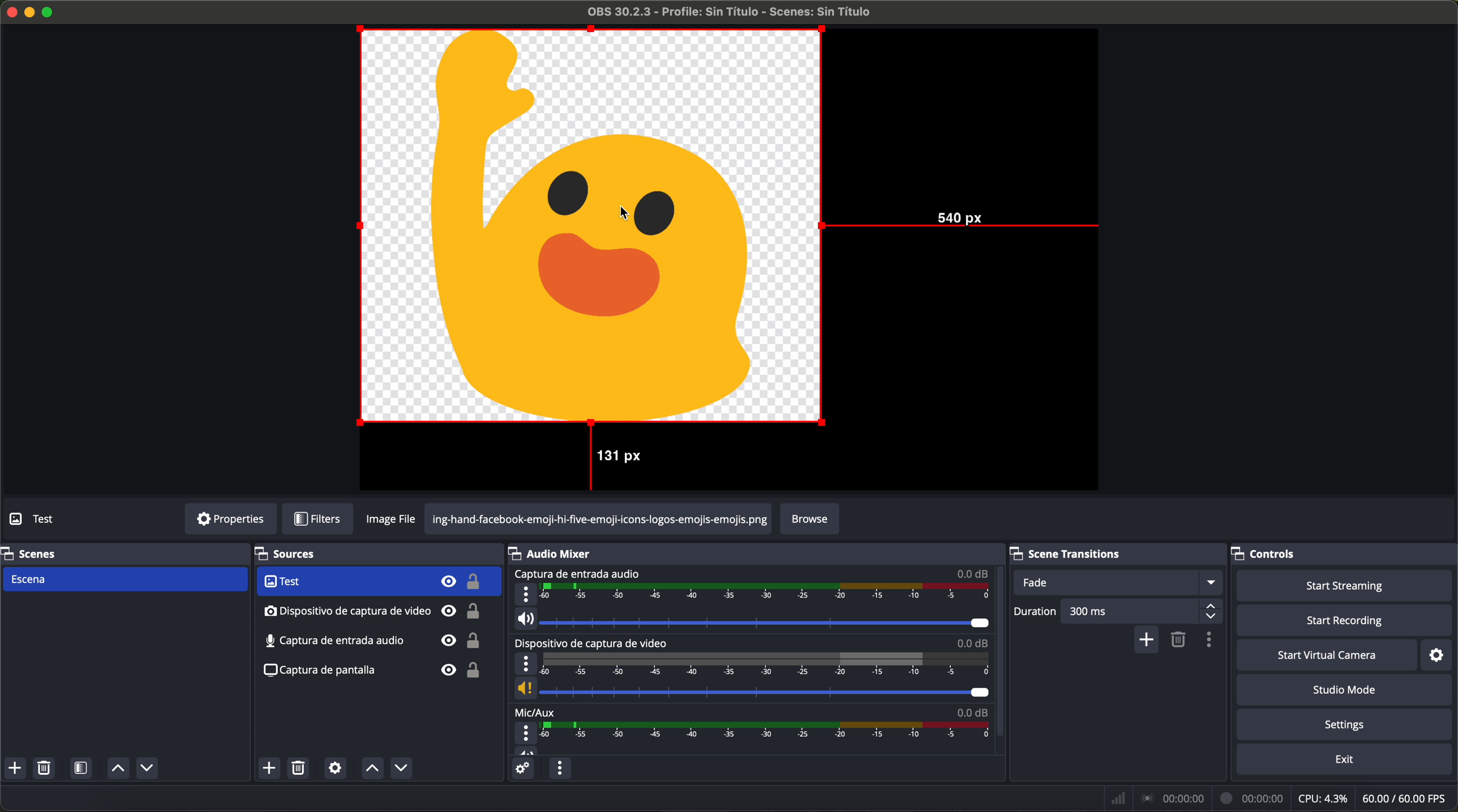 This screenshot has height=812, width=1458. Describe the element at coordinates (611, 460) in the screenshot. I see `131 px distance` at that location.